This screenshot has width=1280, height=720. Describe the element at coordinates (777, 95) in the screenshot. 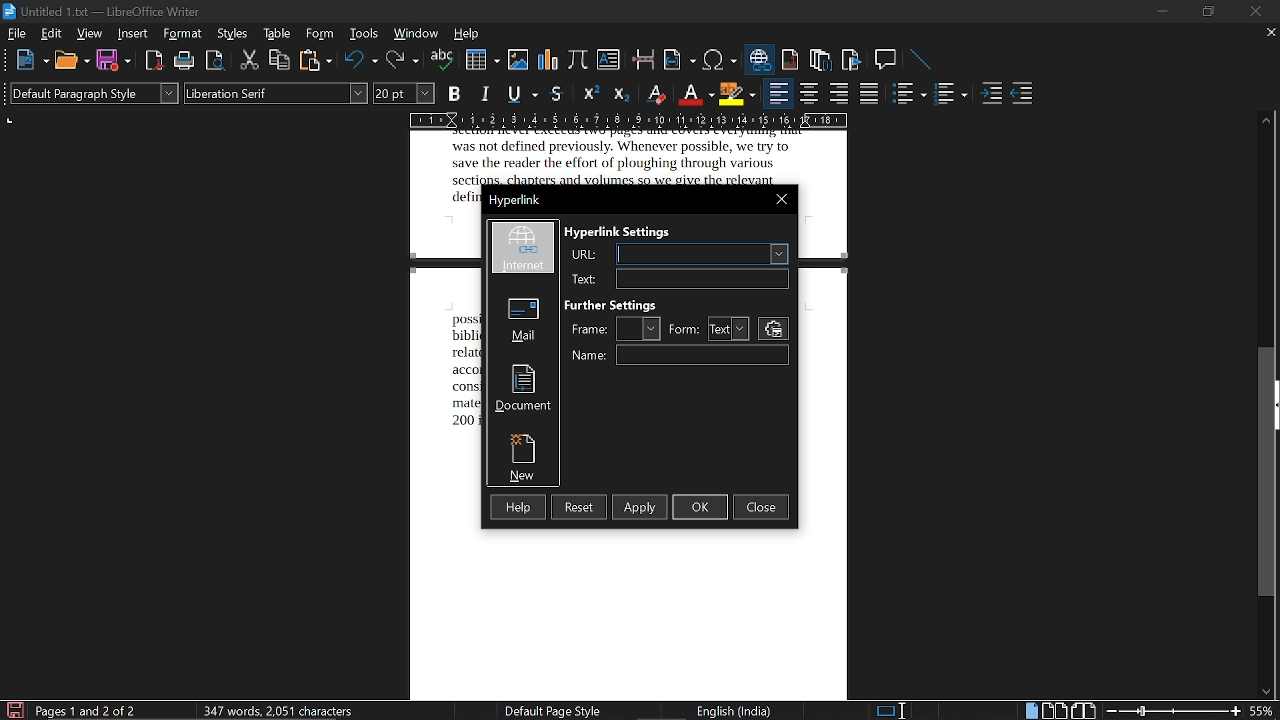

I see `align left` at that location.